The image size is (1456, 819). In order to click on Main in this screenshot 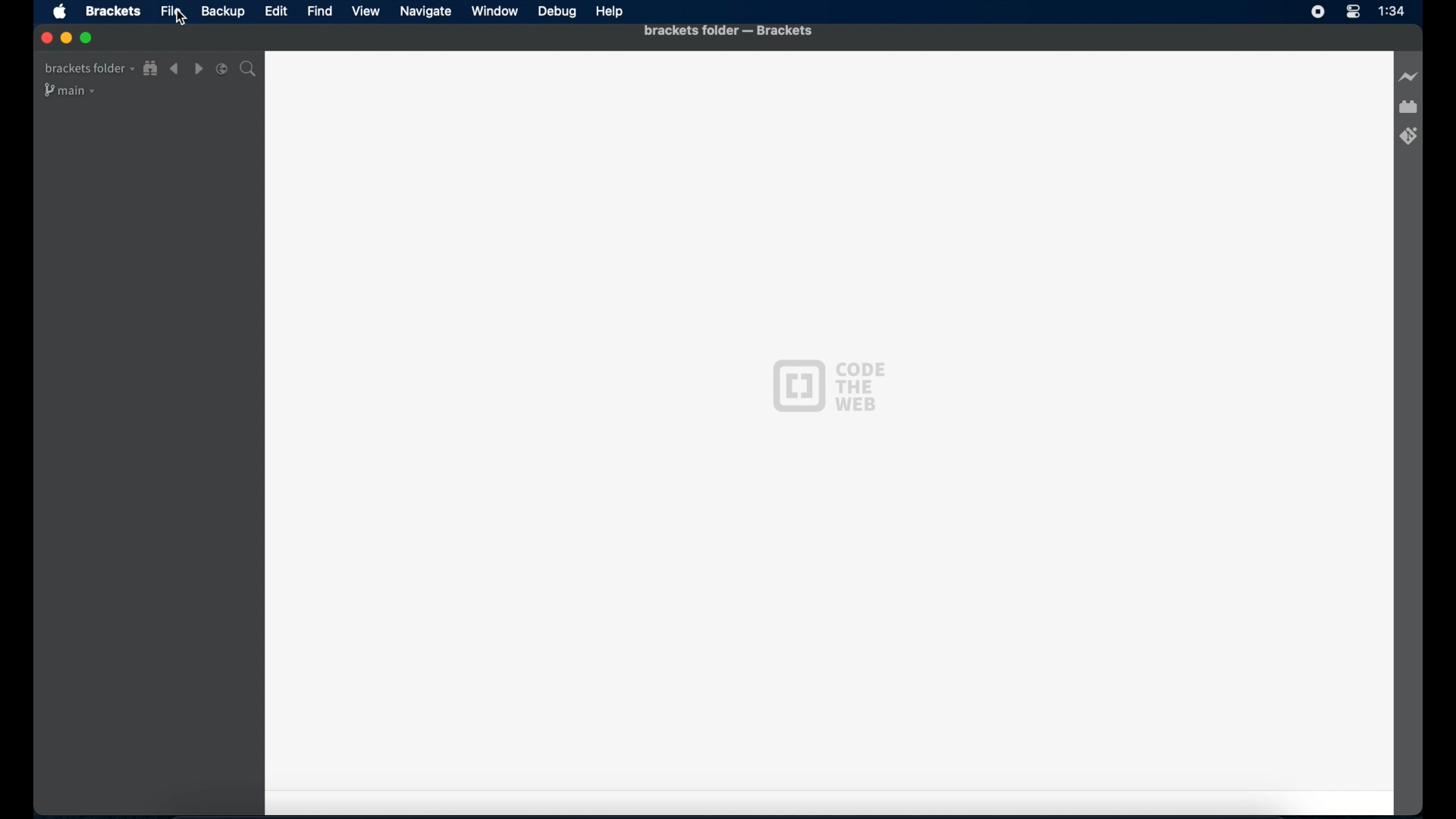, I will do `click(71, 90)`.